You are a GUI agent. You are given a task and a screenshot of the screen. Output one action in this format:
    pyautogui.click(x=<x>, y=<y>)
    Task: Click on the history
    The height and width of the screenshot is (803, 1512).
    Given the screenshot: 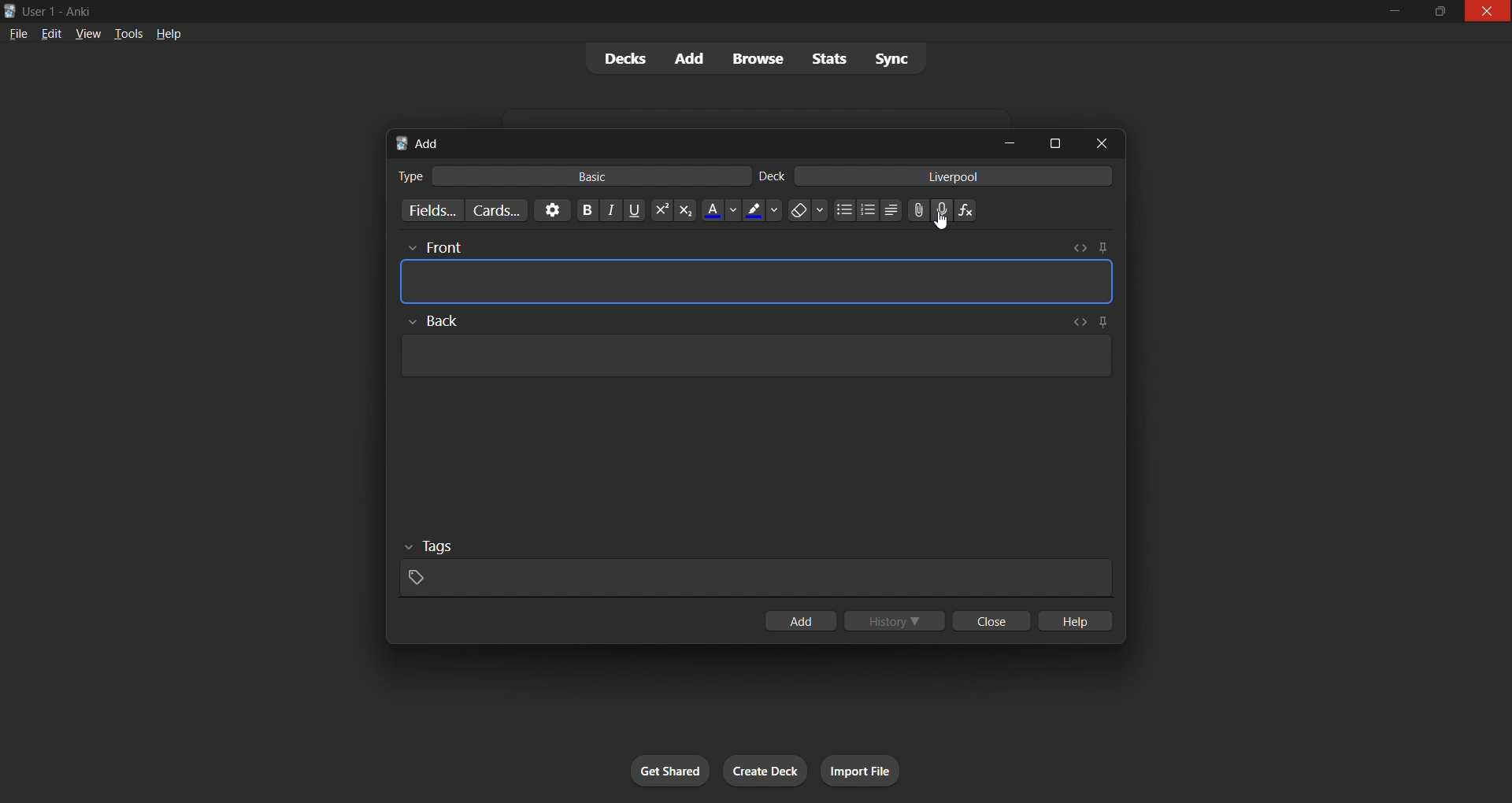 What is the action you would take?
    pyautogui.click(x=896, y=623)
    